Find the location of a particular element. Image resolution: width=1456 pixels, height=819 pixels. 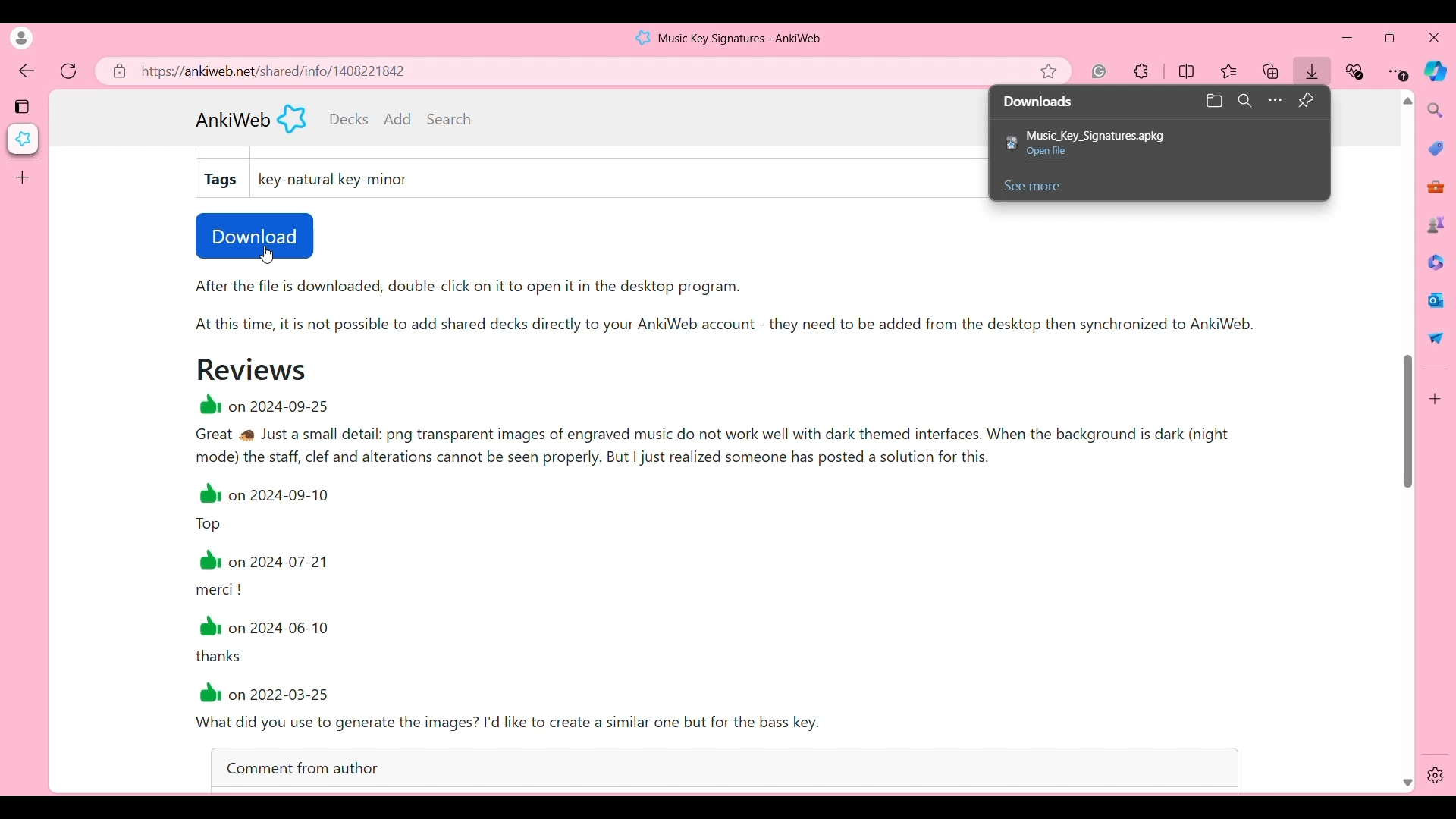

After the file is downloaded, double-click on it to open it in the desktop program.
At this time, it is not possible to add shared decks directly to your AnkiWeb account - they need to be added from the desktop then synchronized to AnkiWeb. is located at coordinates (740, 312).